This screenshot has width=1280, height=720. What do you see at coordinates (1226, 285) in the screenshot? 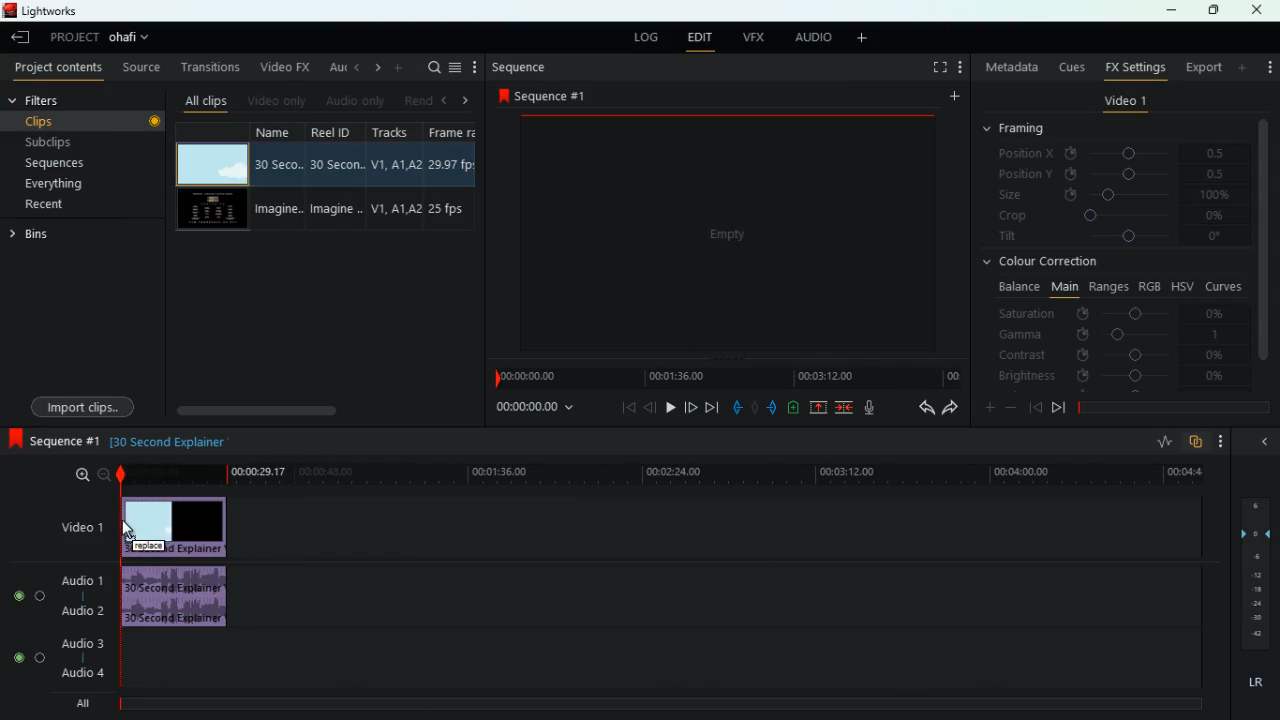
I see `curves` at bounding box center [1226, 285].